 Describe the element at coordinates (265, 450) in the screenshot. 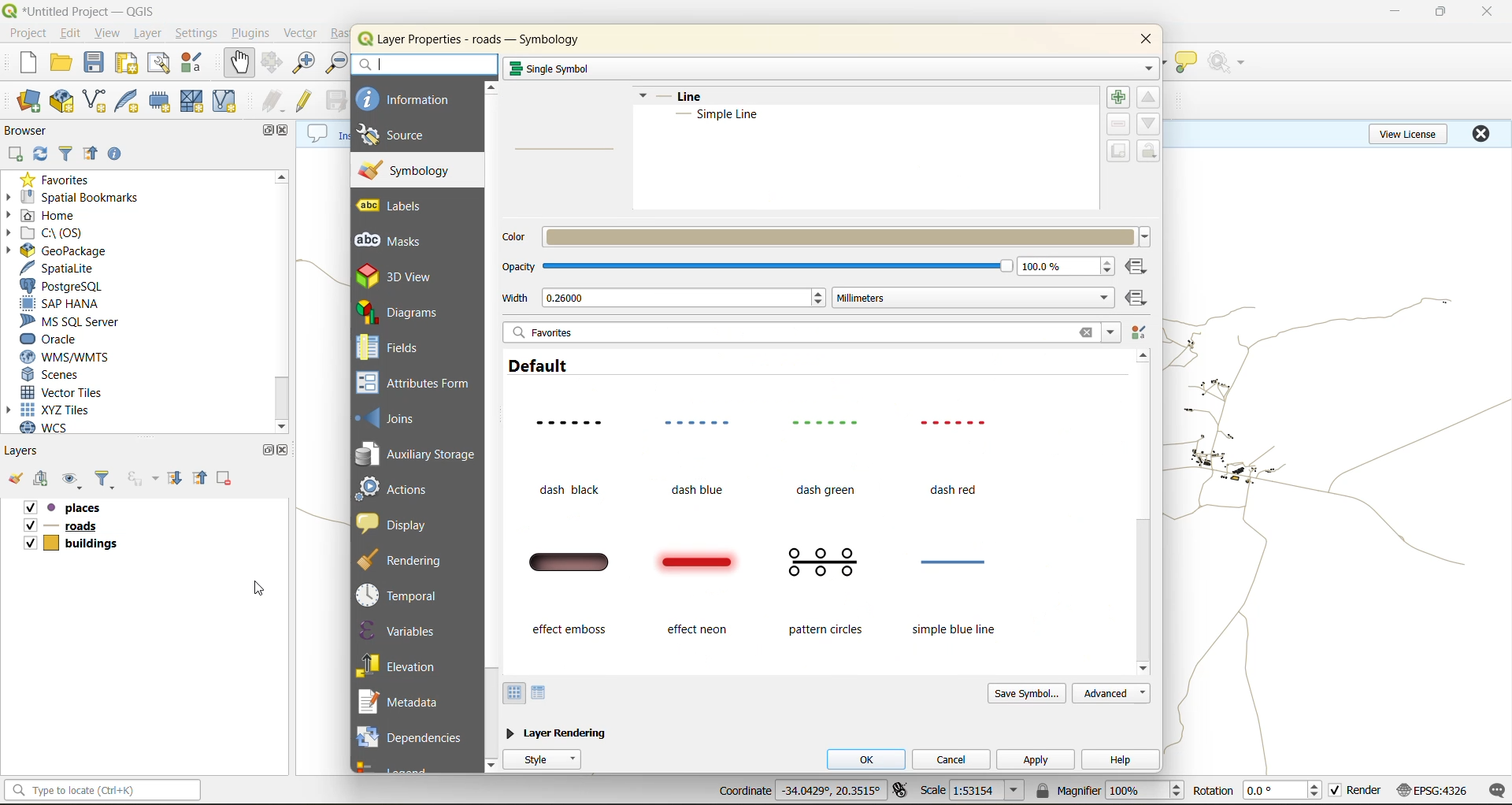

I see `maximize` at that location.